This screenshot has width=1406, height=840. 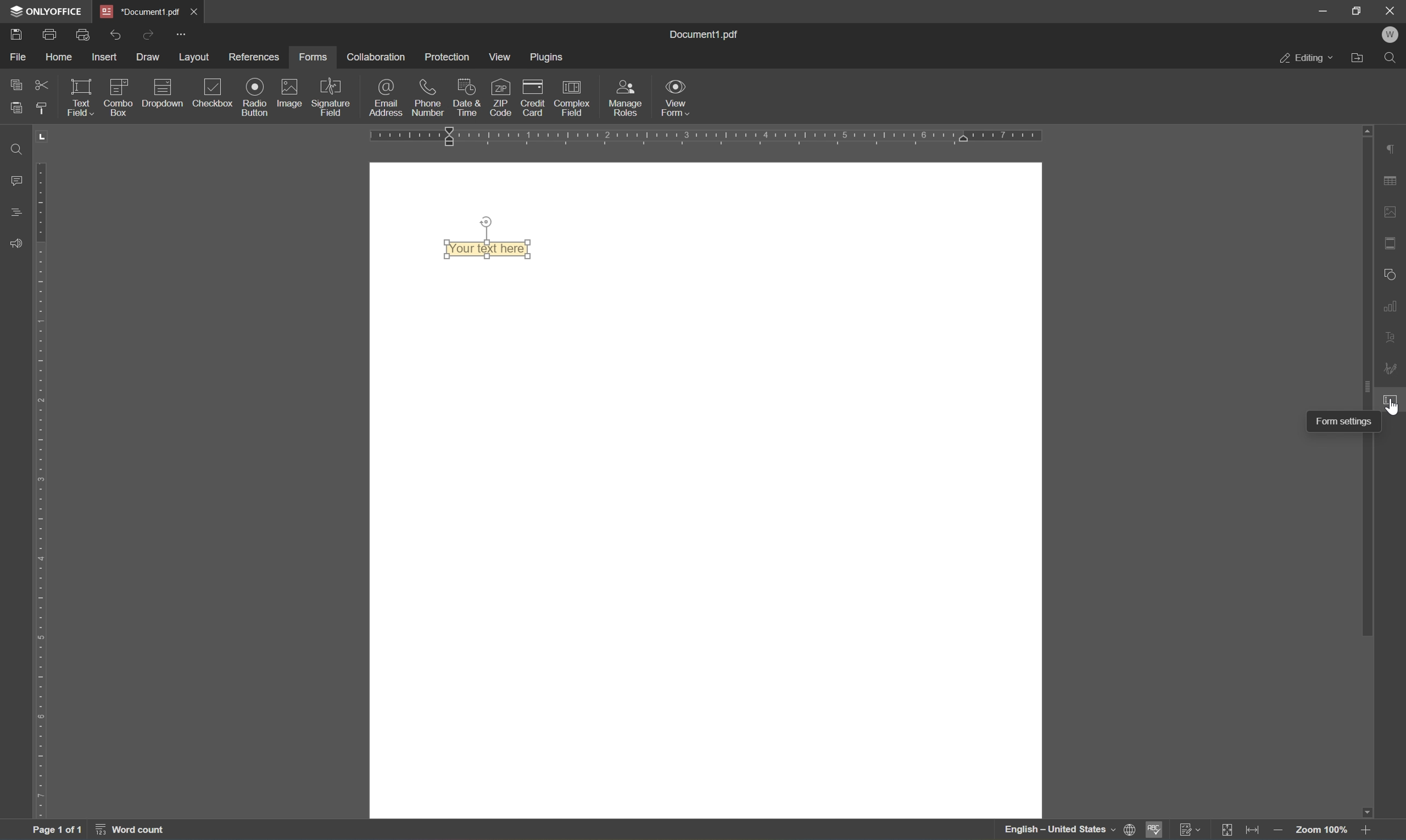 What do you see at coordinates (1392, 179) in the screenshot?
I see `table settings` at bounding box center [1392, 179].